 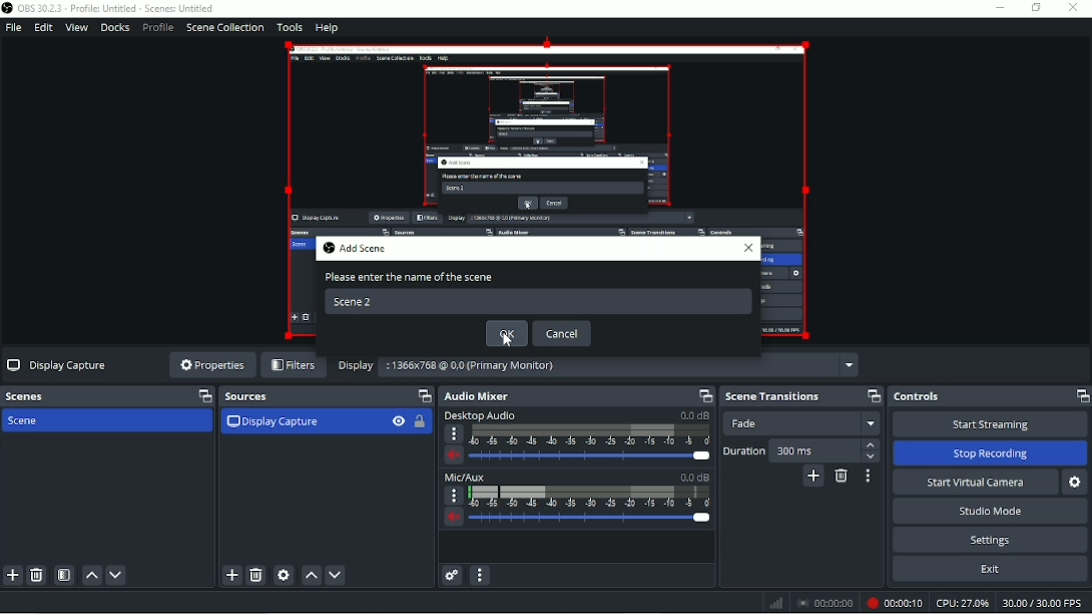 I want to click on Move scene up, so click(x=92, y=576).